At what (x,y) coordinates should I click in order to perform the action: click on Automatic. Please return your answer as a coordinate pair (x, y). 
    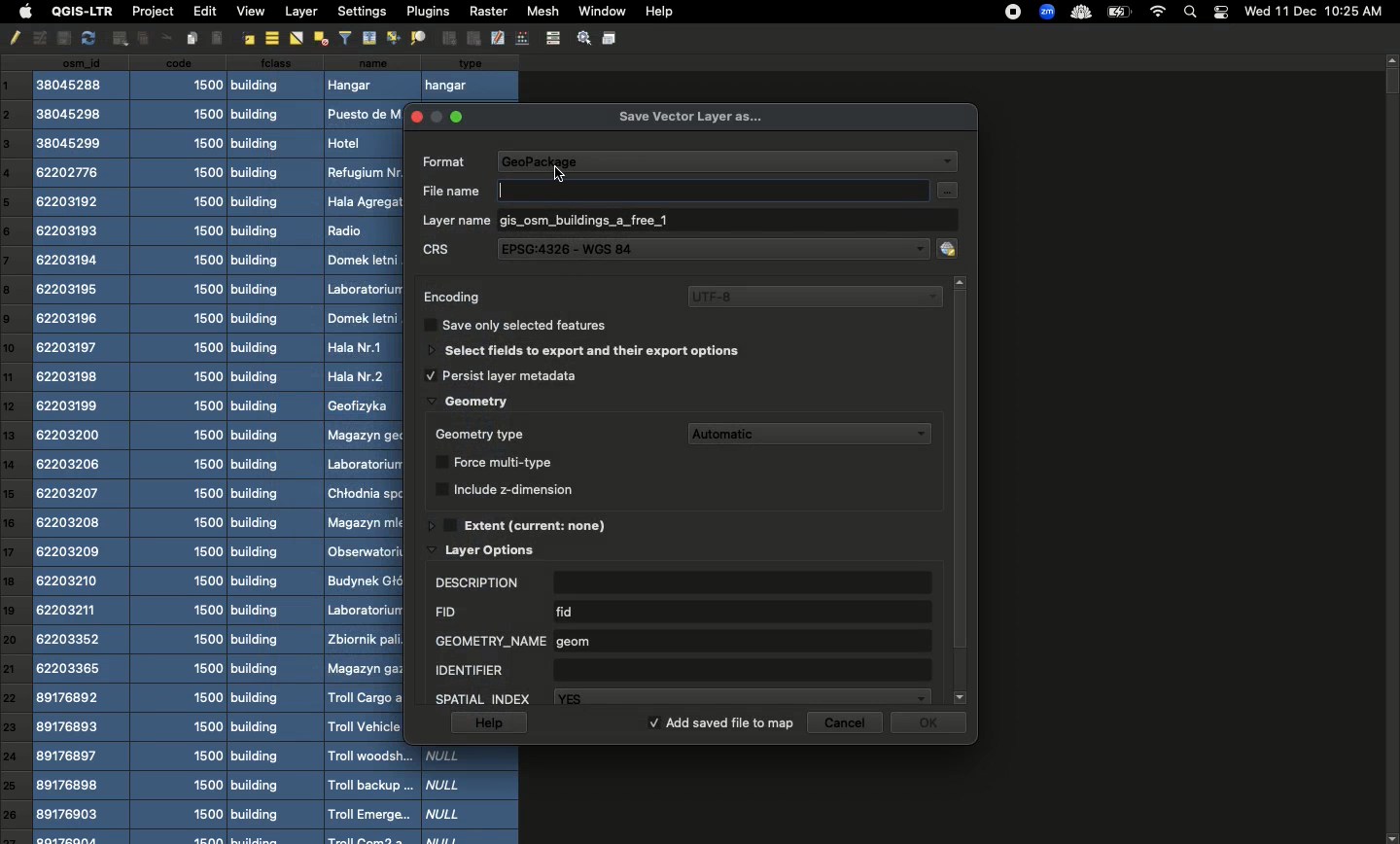
    Looking at the image, I should click on (811, 433).